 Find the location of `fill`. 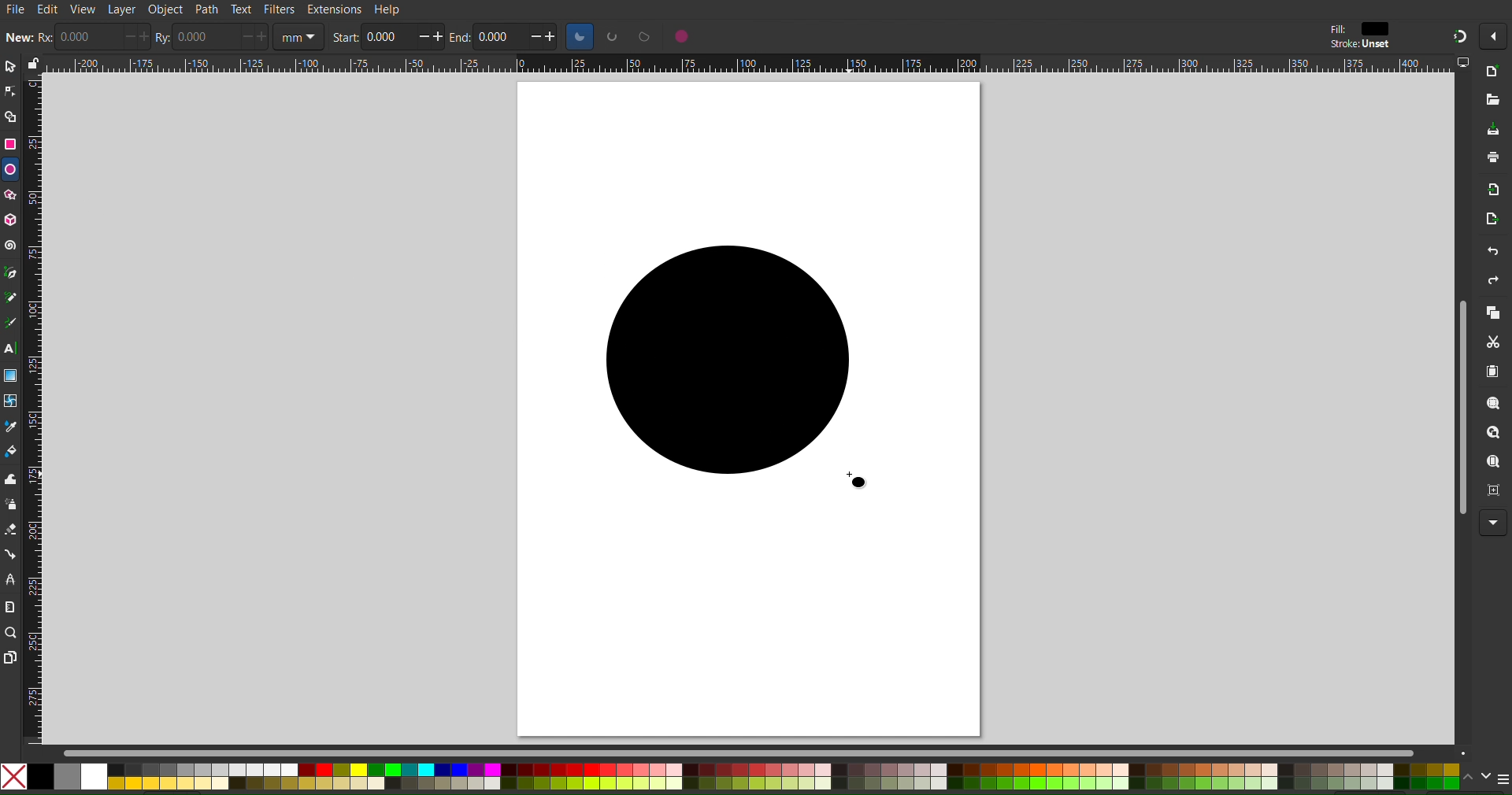

fill is located at coordinates (1332, 29).